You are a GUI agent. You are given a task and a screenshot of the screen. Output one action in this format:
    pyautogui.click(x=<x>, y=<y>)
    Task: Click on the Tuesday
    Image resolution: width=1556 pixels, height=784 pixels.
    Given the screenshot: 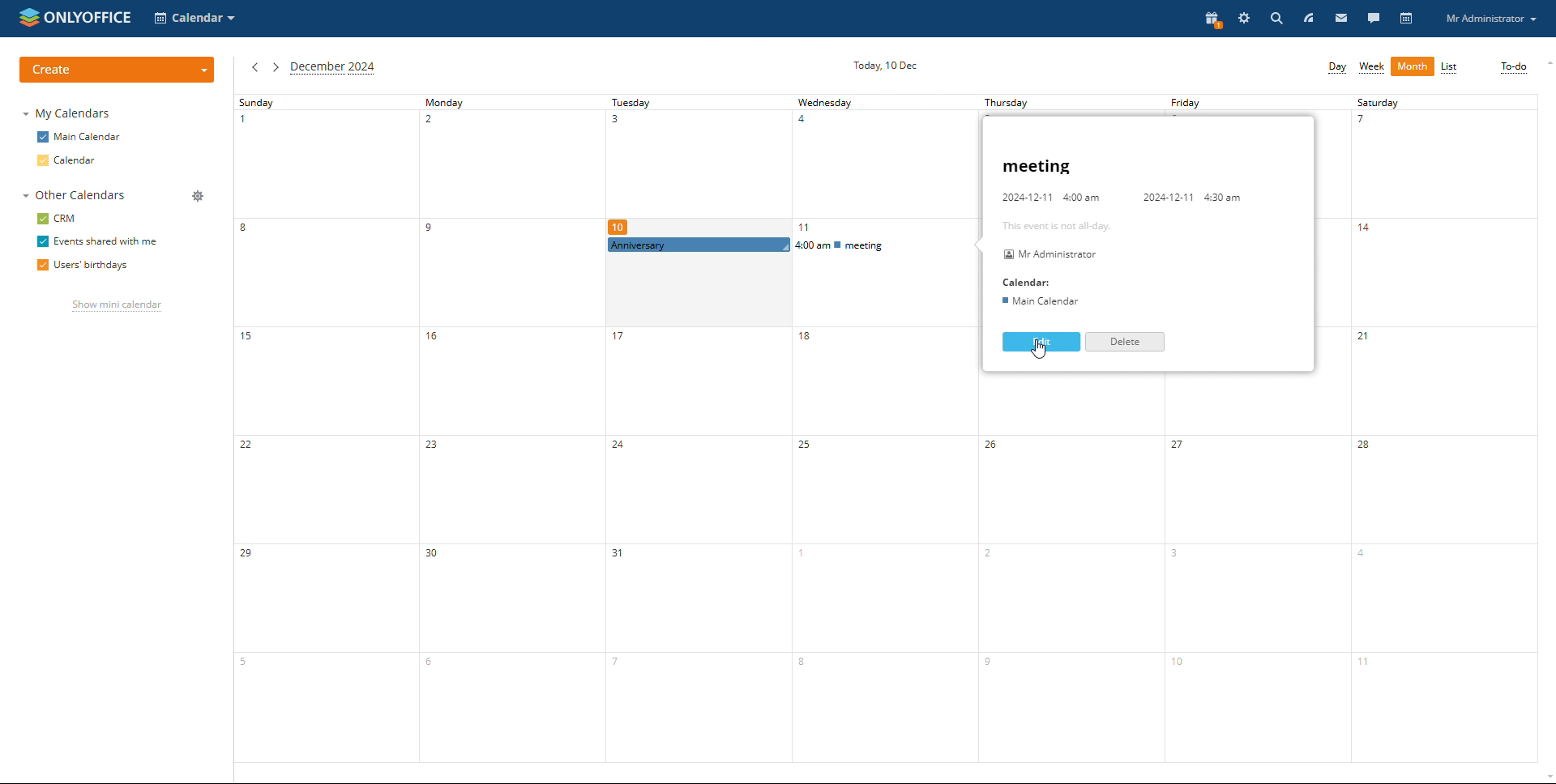 What is the action you would take?
    pyautogui.click(x=697, y=164)
    